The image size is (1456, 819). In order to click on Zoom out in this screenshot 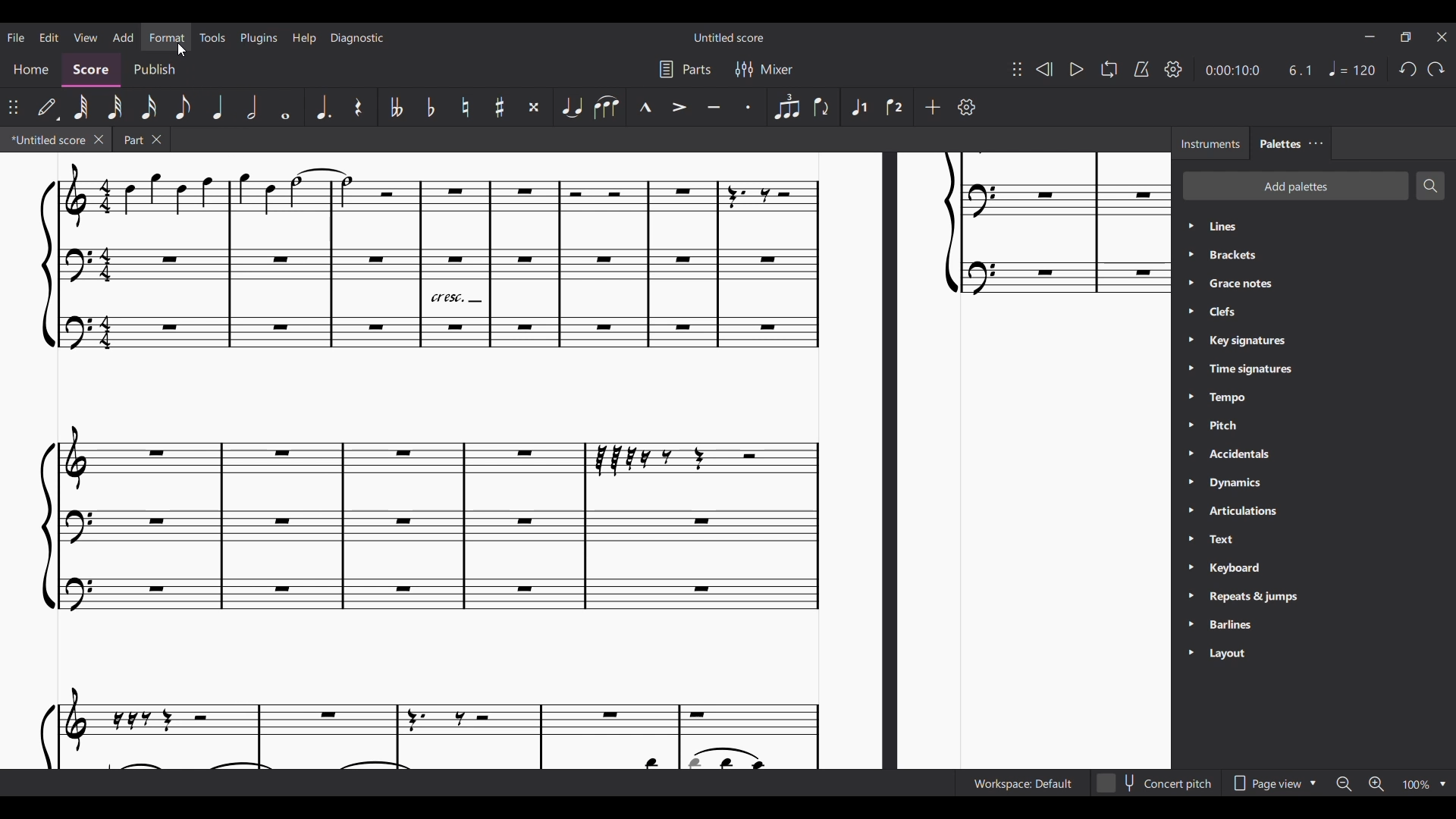, I will do `click(1344, 784)`.